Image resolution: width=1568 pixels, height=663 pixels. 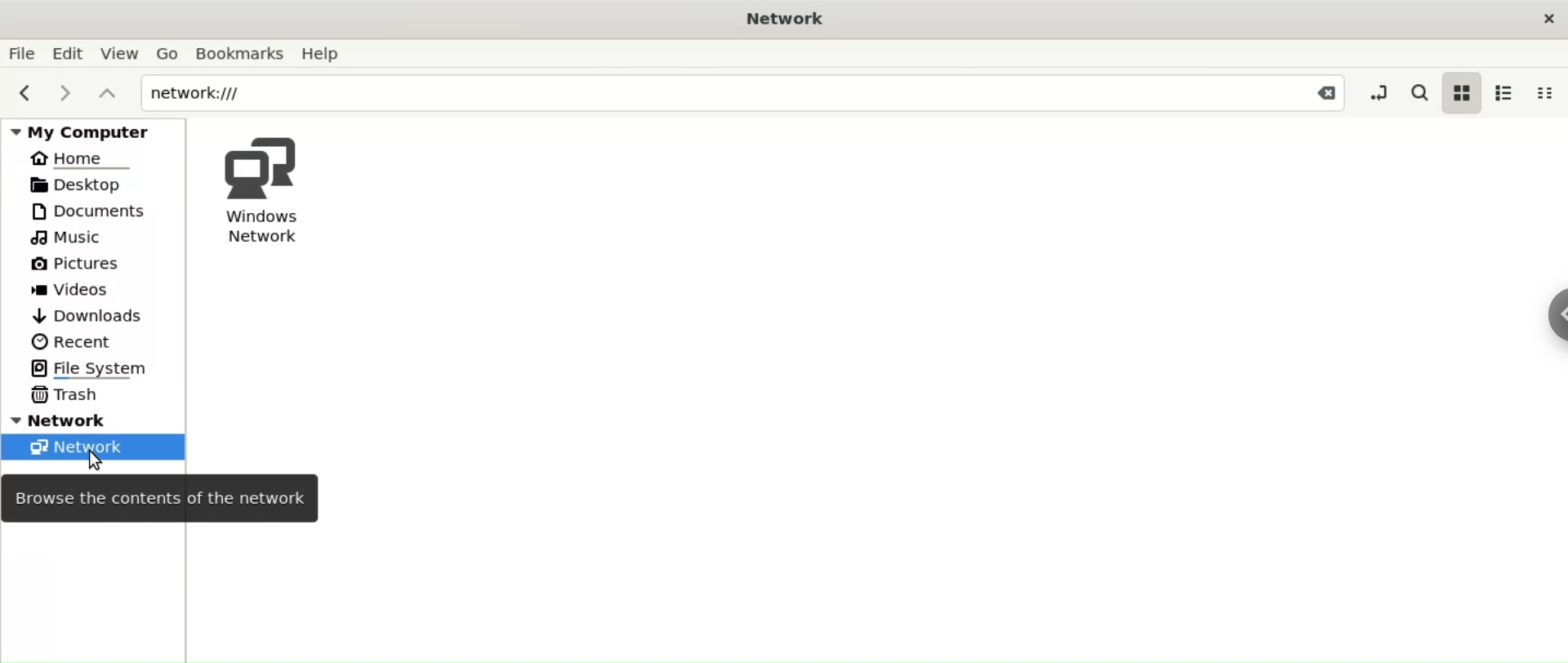 I want to click on Network, so click(x=101, y=420).